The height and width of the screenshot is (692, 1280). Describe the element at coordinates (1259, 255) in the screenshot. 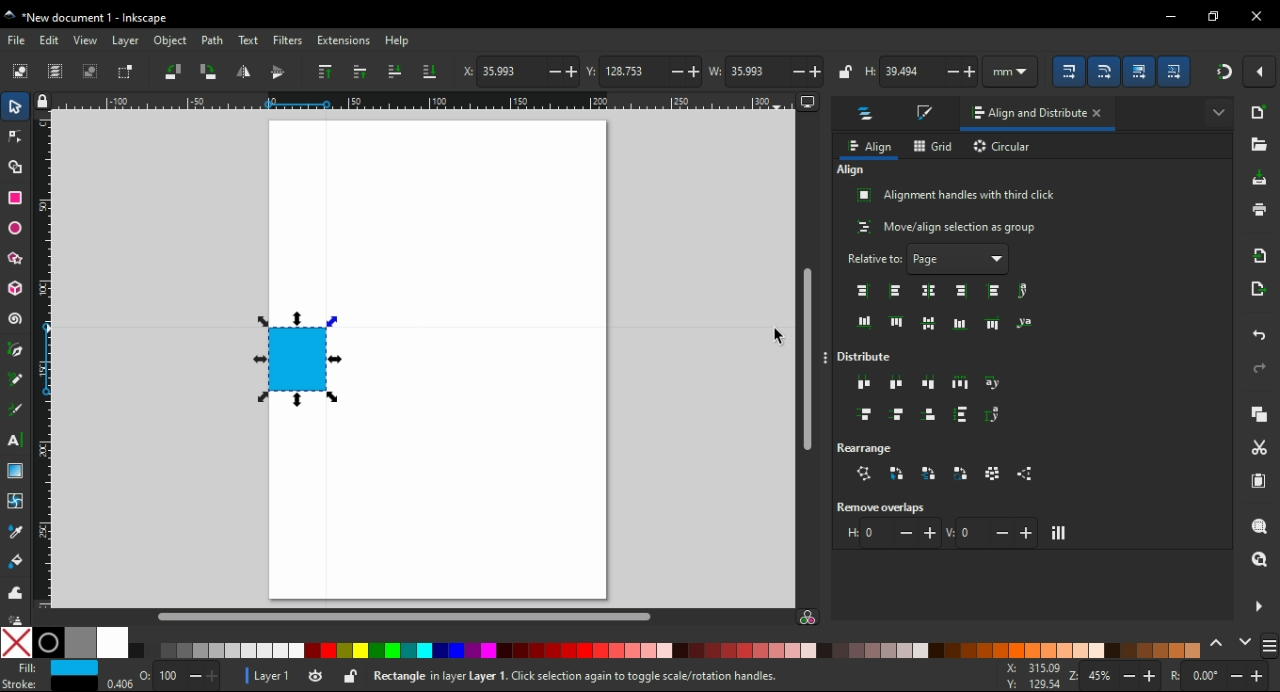

I see `import` at that location.